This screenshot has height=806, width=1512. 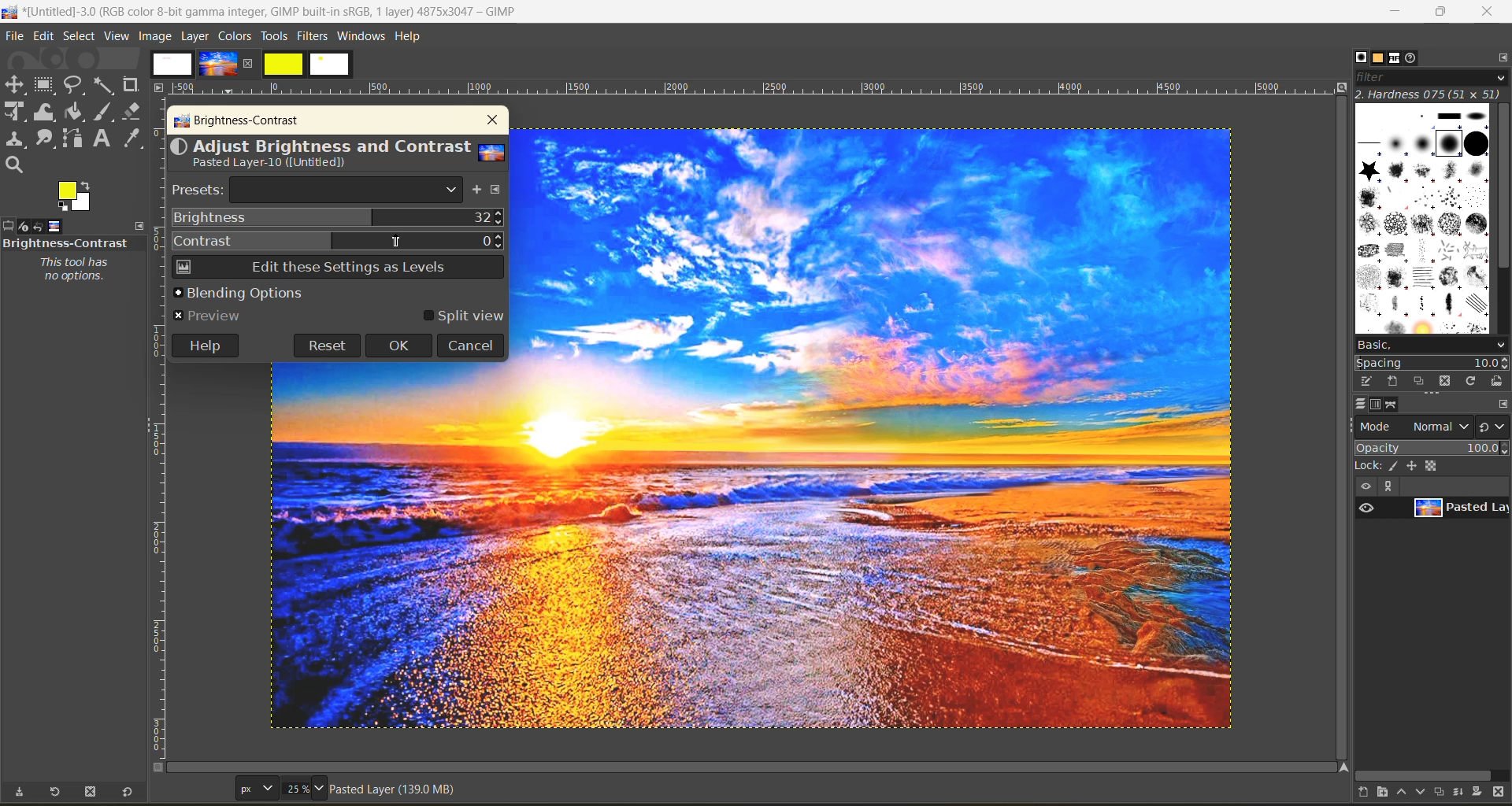 What do you see at coordinates (1431, 465) in the screenshot?
I see `lock pixels, position and size, alpha` at bounding box center [1431, 465].